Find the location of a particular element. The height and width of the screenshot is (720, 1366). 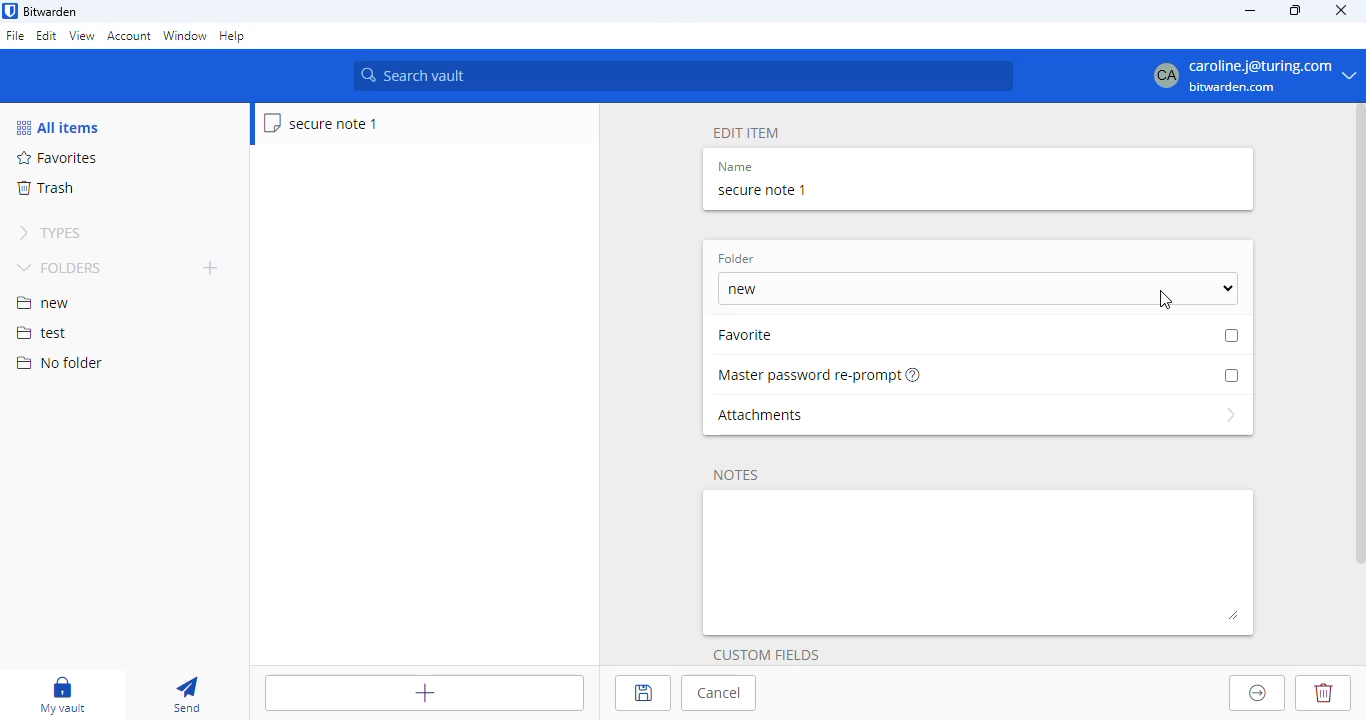

name is located at coordinates (735, 167).